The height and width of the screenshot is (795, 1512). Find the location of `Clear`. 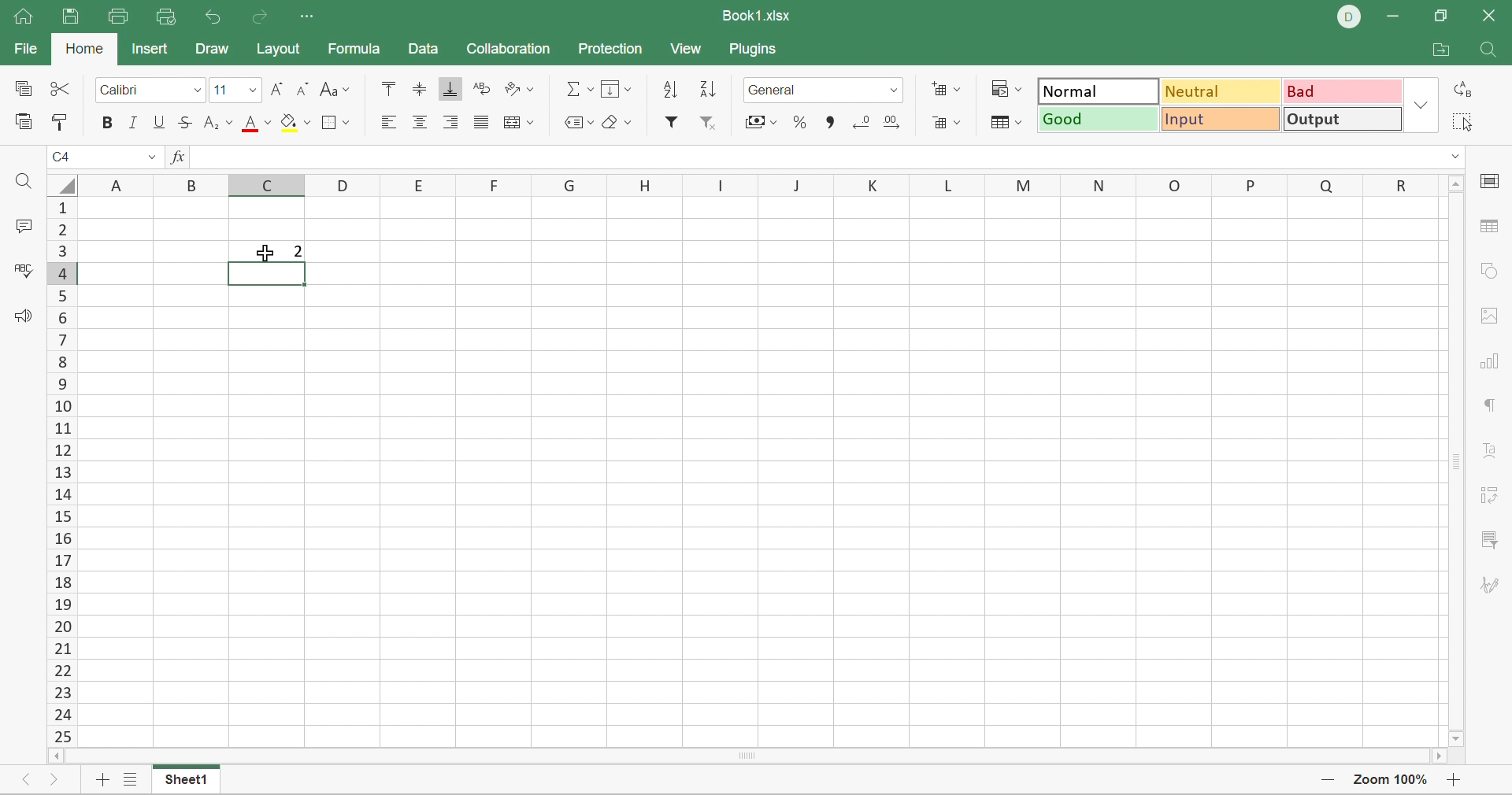

Clear is located at coordinates (615, 123).